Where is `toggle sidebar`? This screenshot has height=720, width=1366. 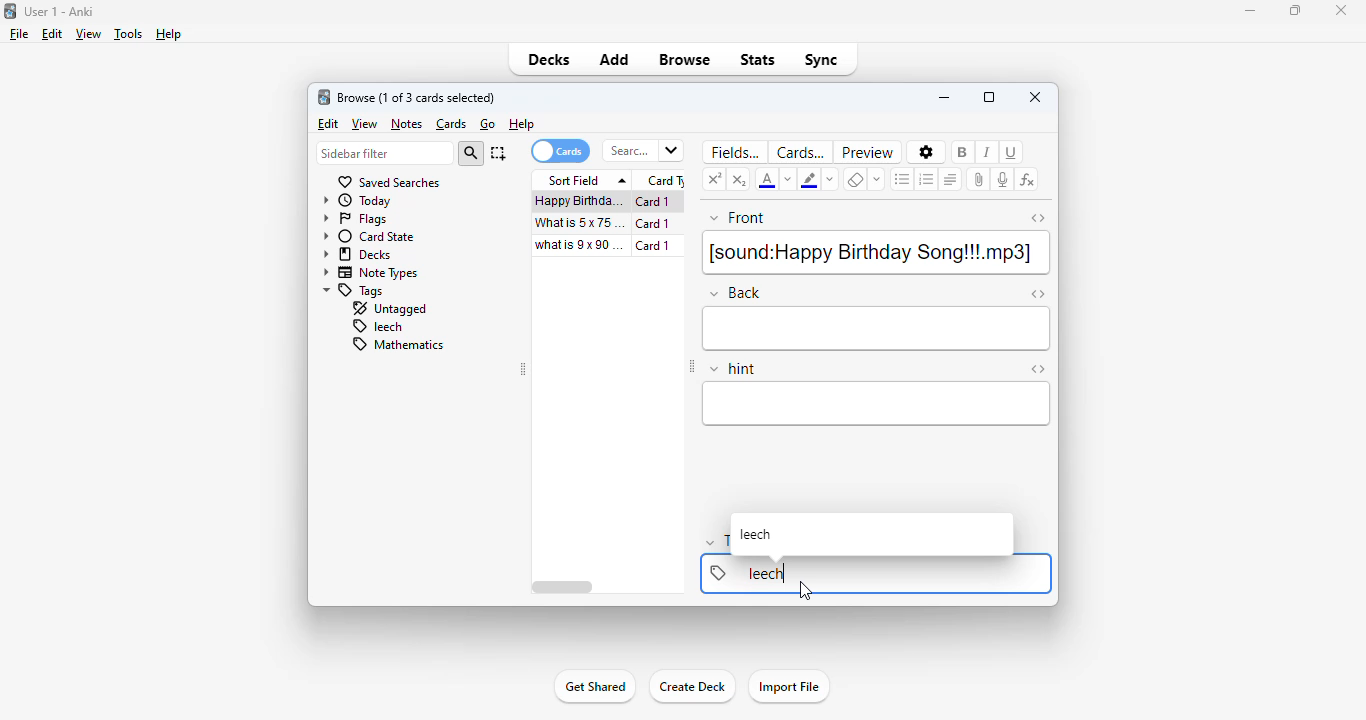 toggle sidebar is located at coordinates (524, 370).